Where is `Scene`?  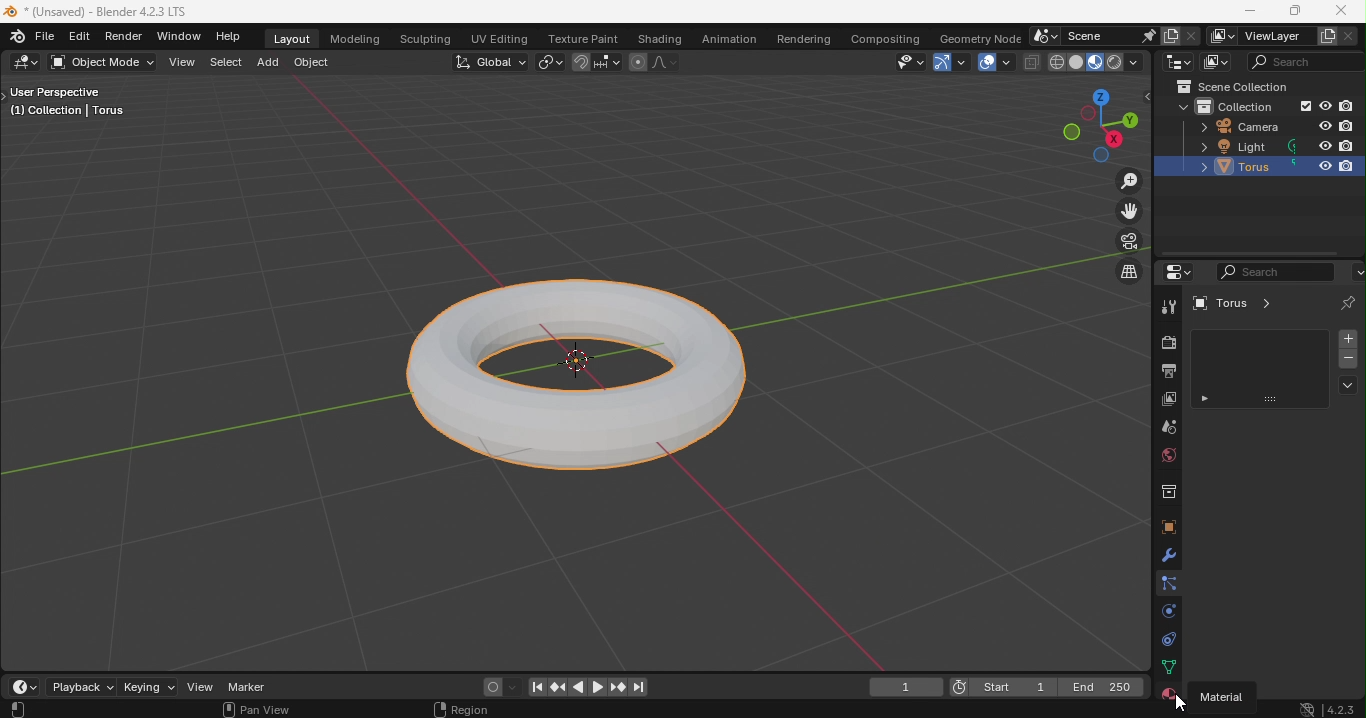
Scene is located at coordinates (1093, 34).